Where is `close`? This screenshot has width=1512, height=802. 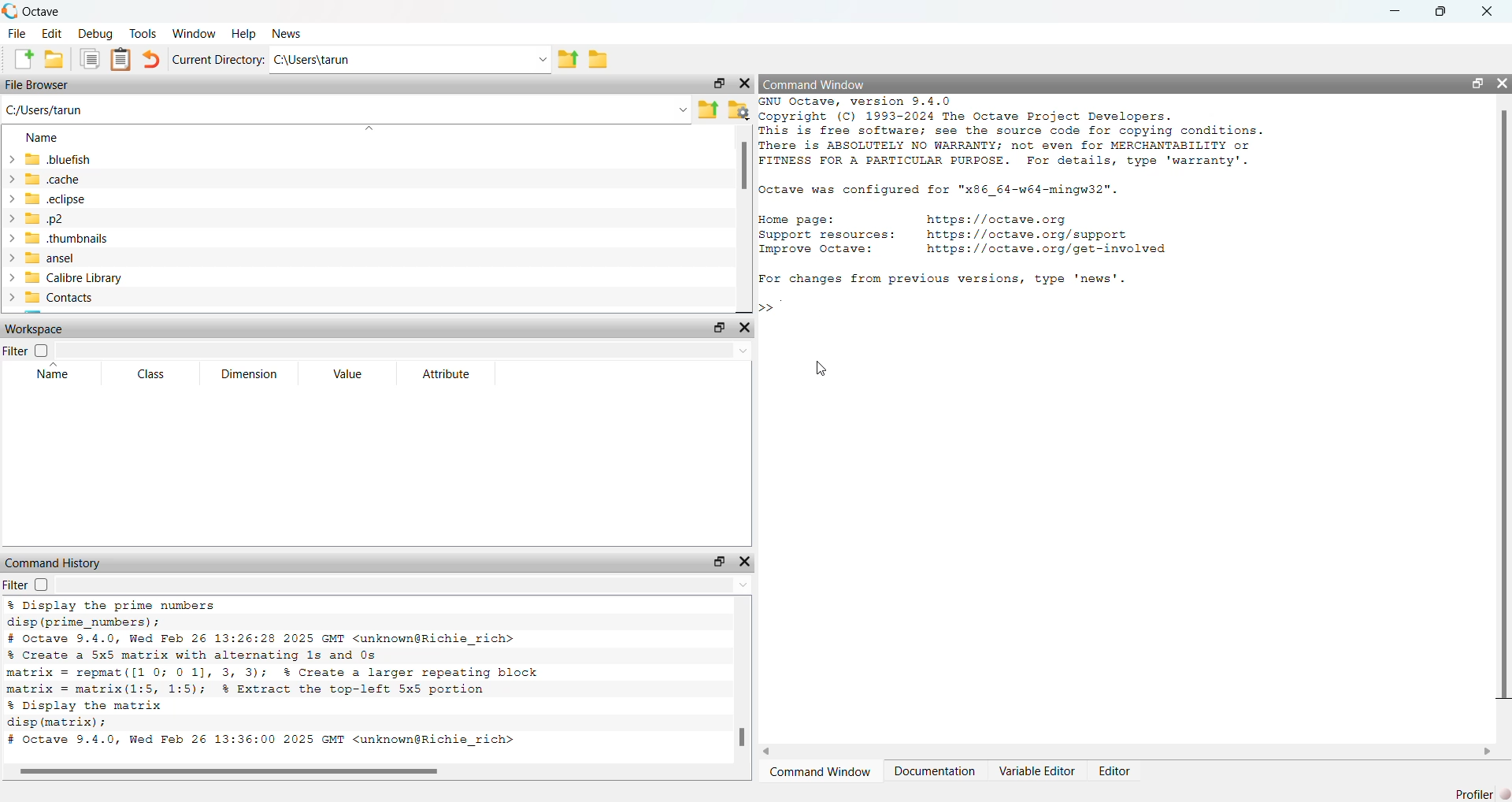 close is located at coordinates (1492, 11).